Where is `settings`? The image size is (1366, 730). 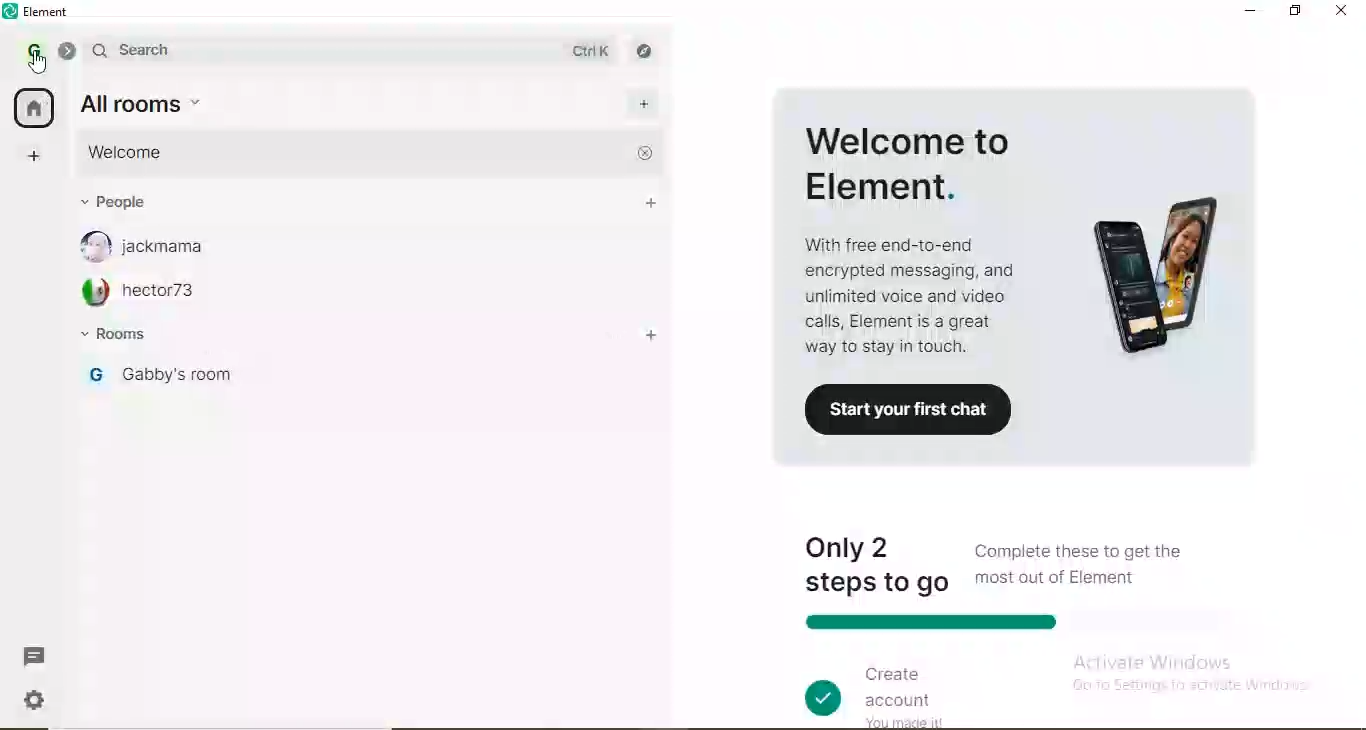
settings is located at coordinates (37, 704).